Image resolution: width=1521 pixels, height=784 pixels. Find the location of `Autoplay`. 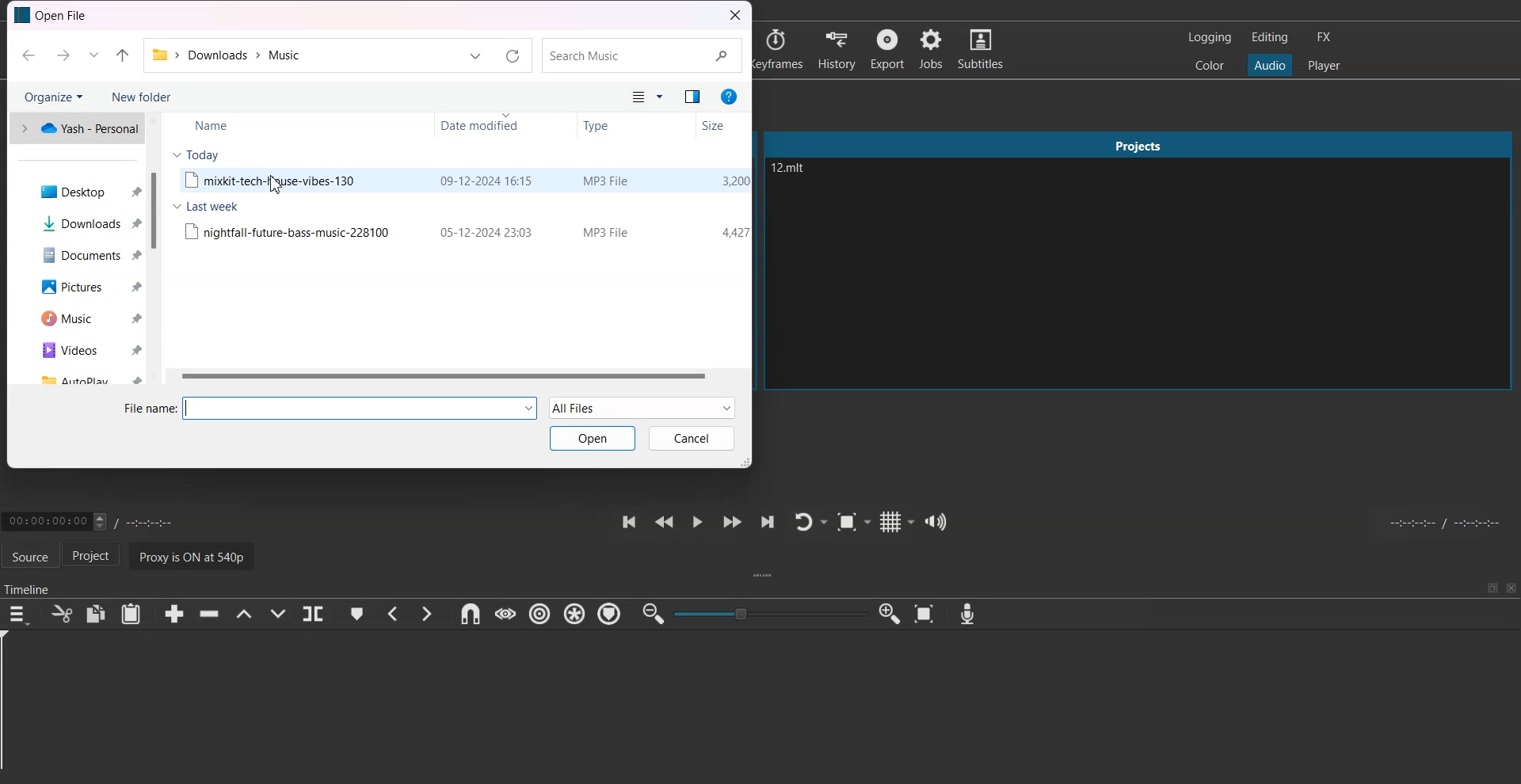

Autoplay is located at coordinates (86, 378).